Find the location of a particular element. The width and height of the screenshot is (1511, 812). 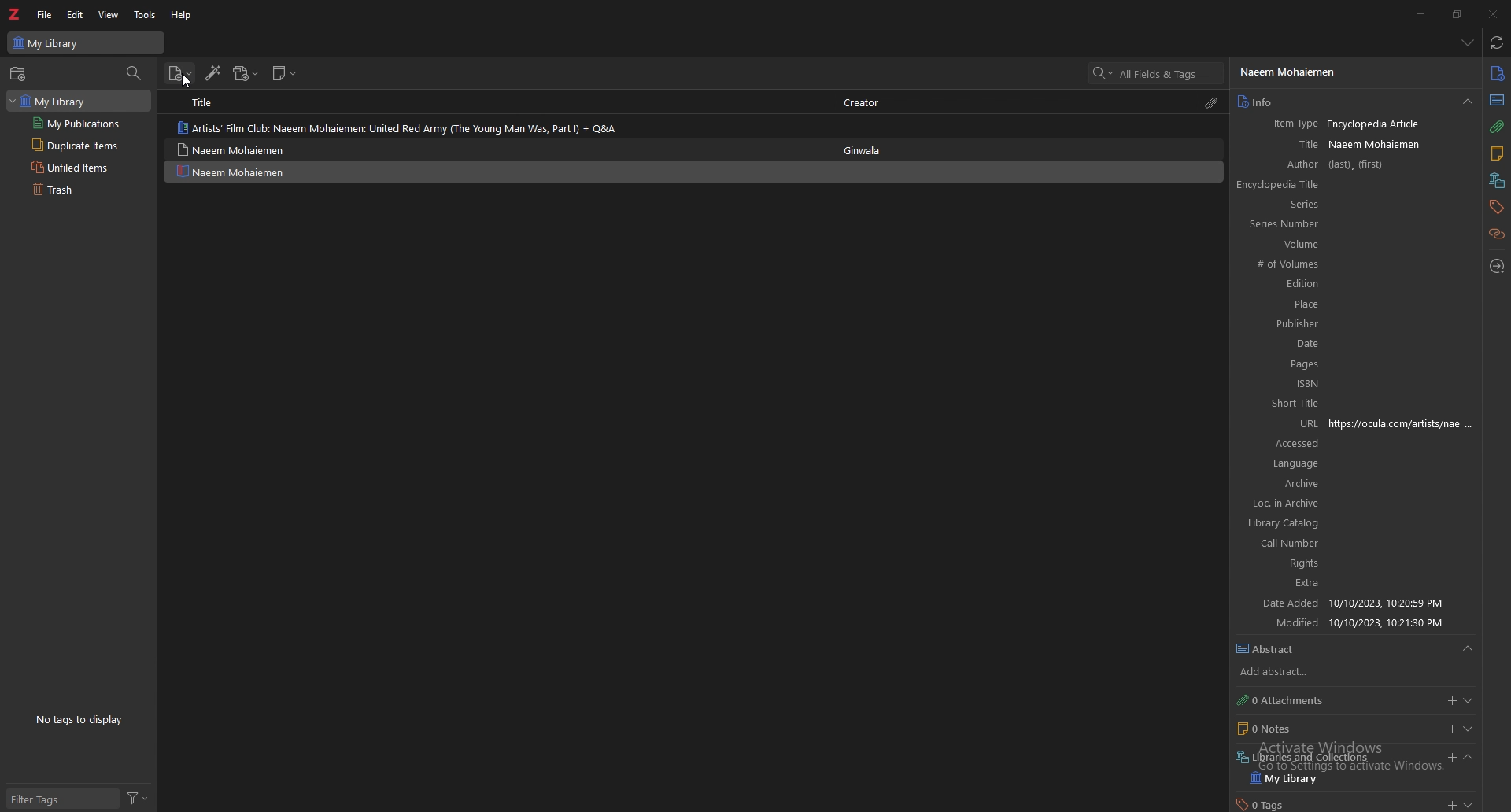

duplicate items is located at coordinates (73, 146).